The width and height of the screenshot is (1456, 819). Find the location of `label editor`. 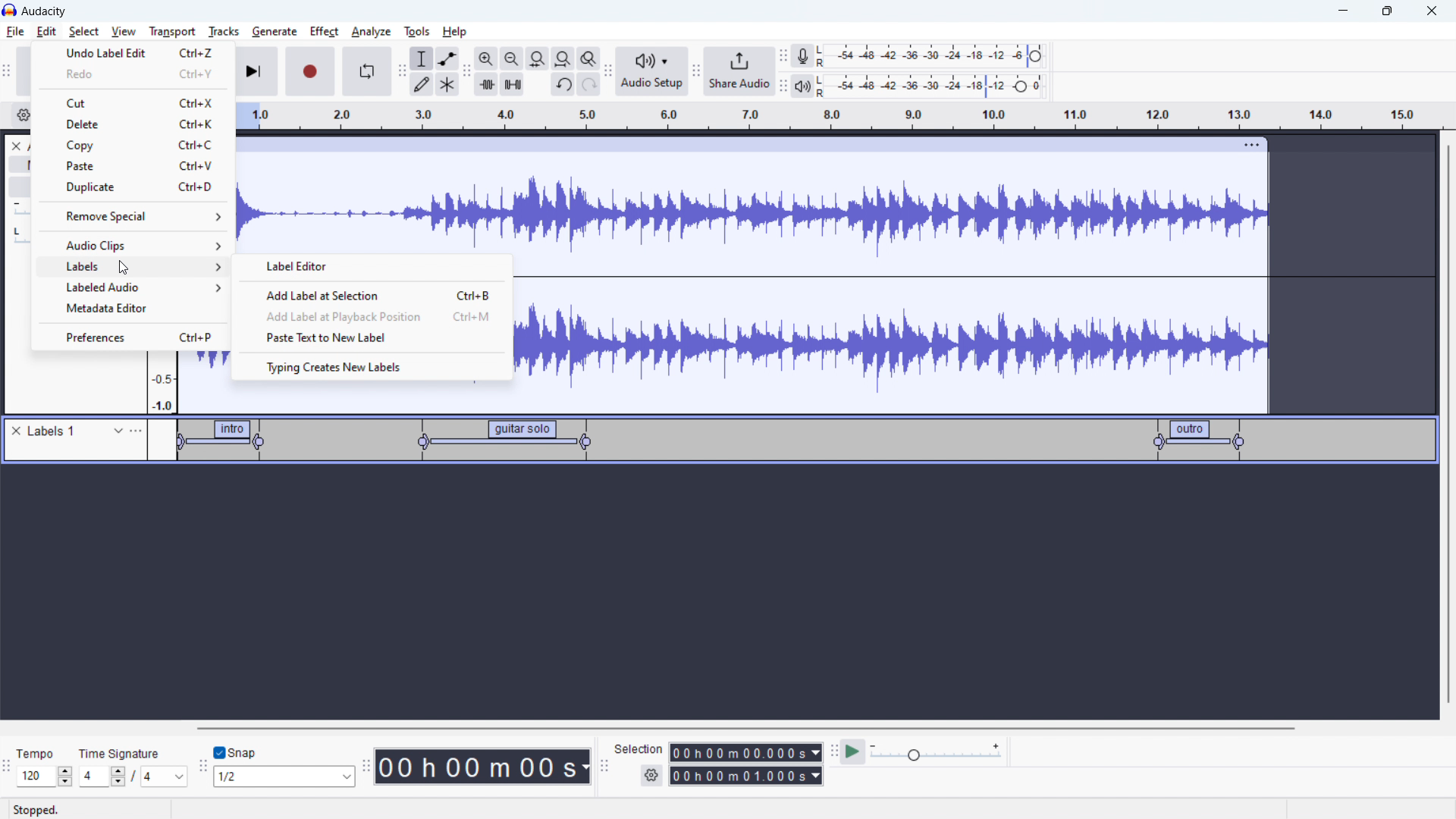

label editor is located at coordinates (372, 267).